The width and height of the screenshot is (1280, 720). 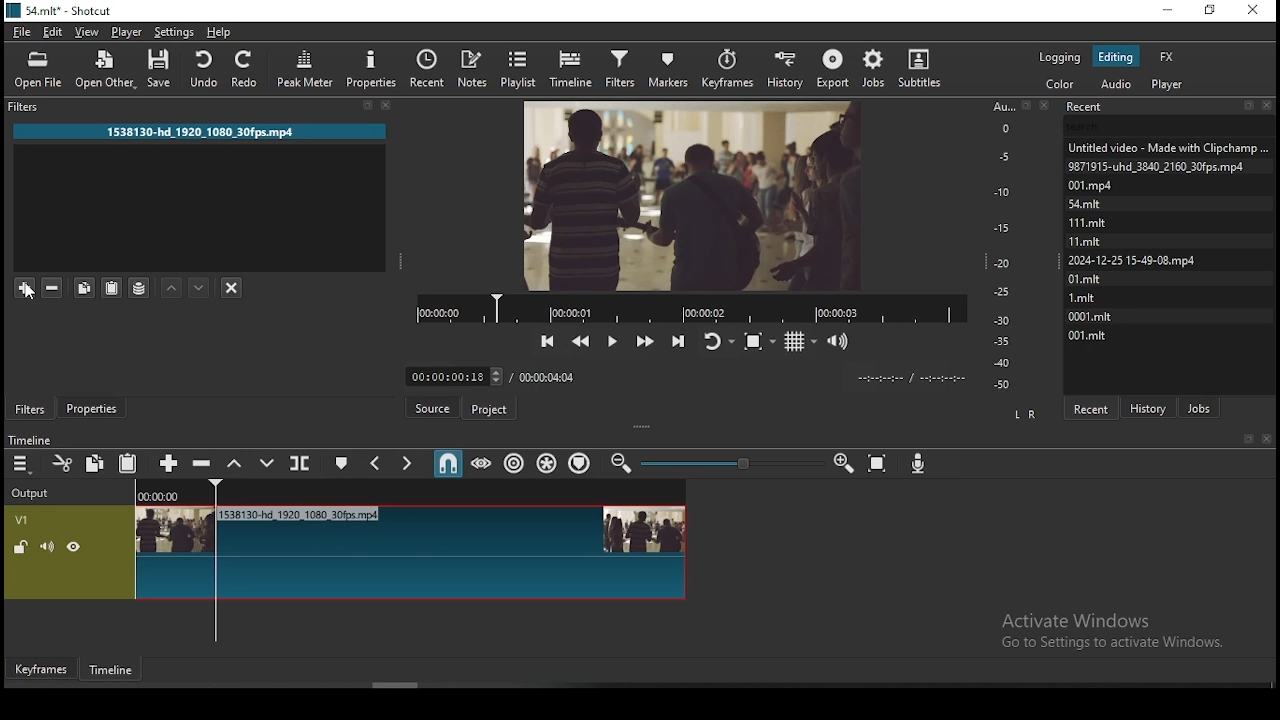 What do you see at coordinates (1200, 407) in the screenshot?
I see `jobs` at bounding box center [1200, 407].